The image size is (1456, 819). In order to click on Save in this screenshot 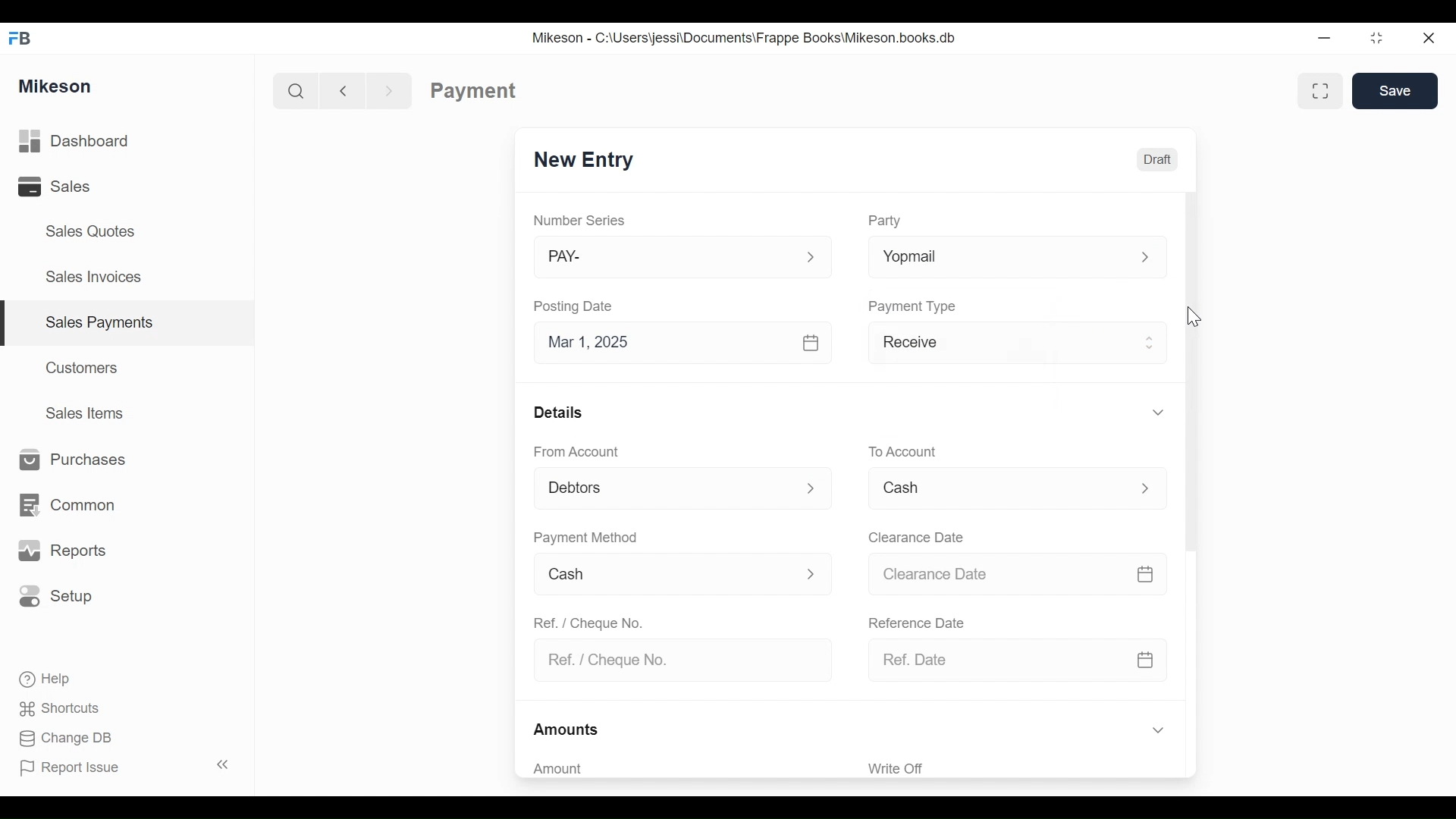, I will do `click(1398, 92)`.